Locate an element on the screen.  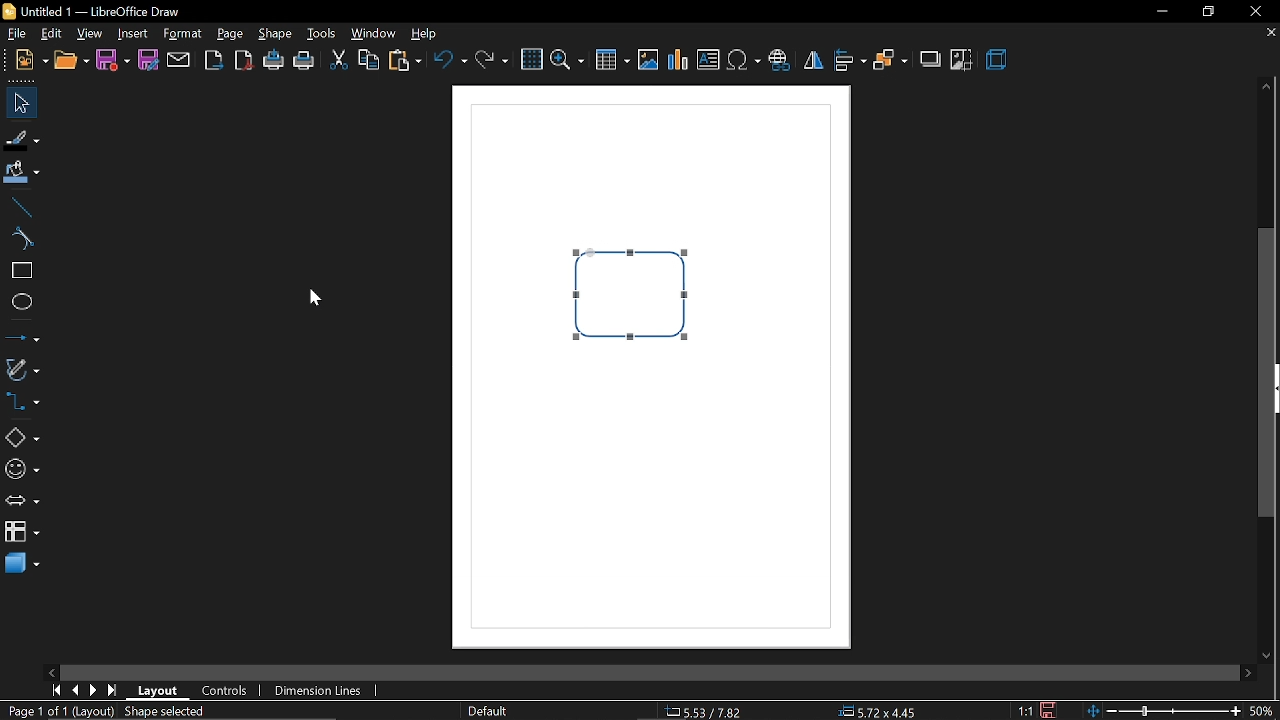
attach is located at coordinates (178, 61).